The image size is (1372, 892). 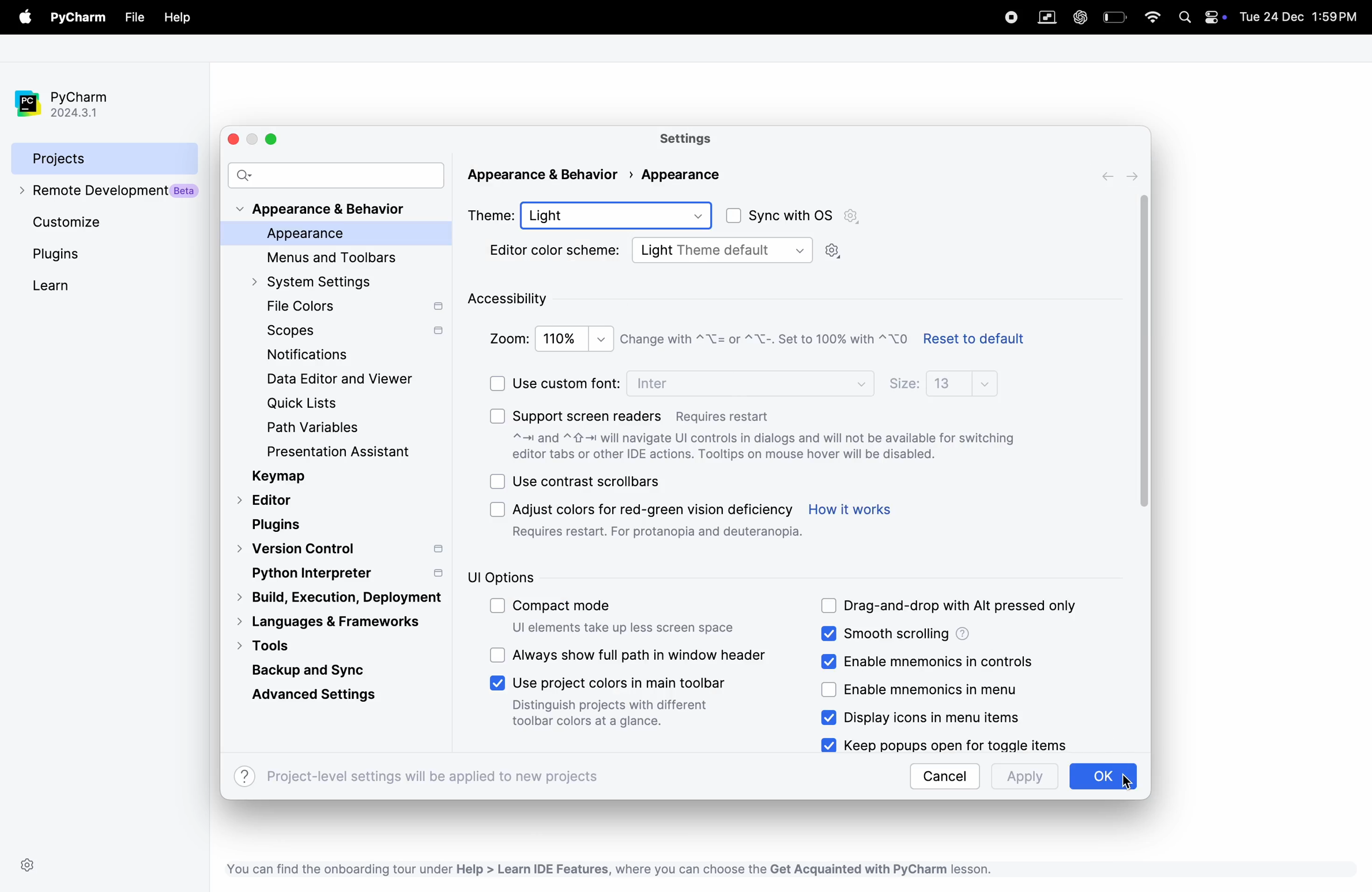 I want to click on Tue 24 Dec 1:59PM, so click(x=1299, y=18).